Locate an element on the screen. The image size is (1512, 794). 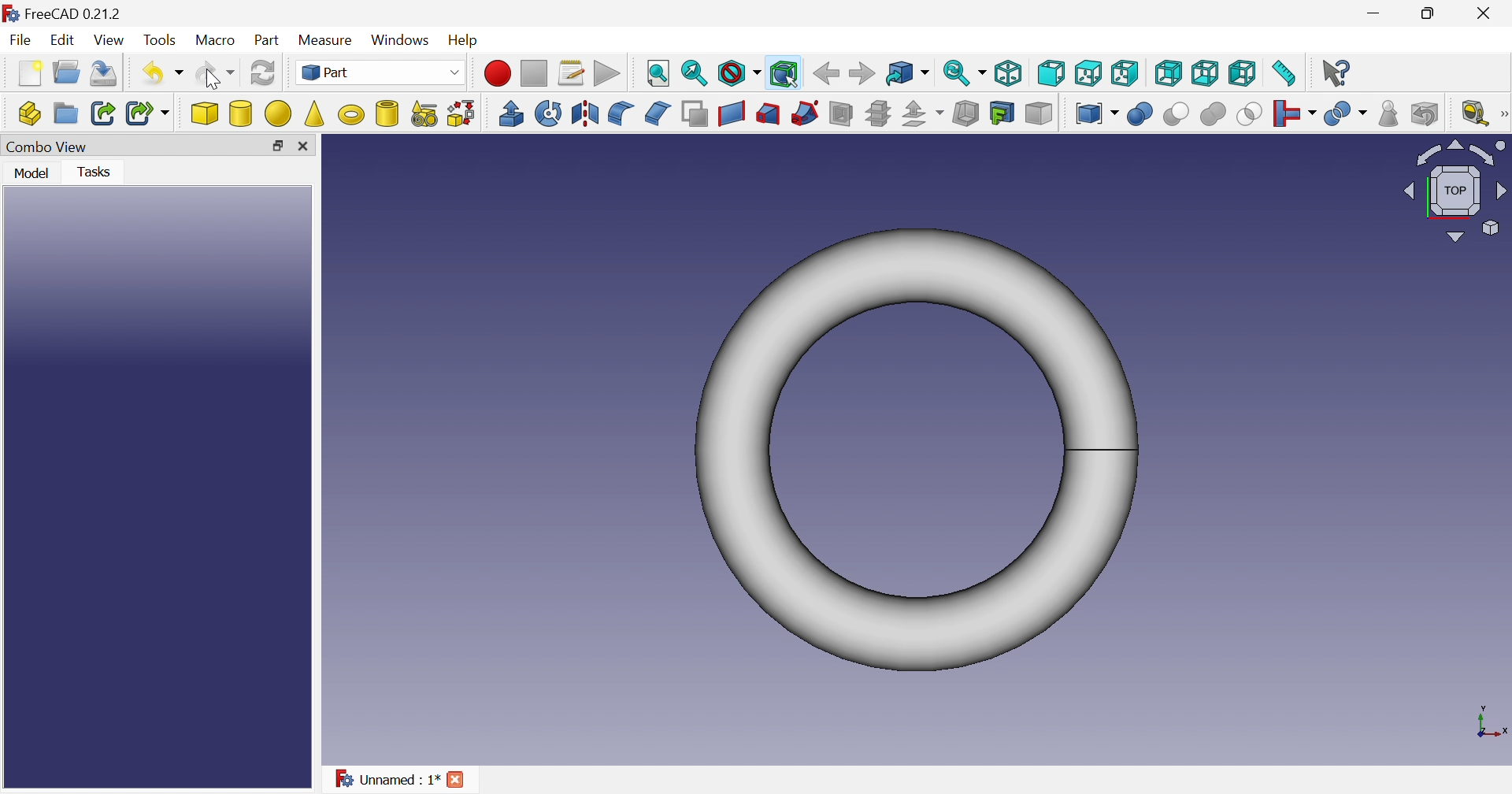
Defeaturing is located at coordinates (1425, 116).